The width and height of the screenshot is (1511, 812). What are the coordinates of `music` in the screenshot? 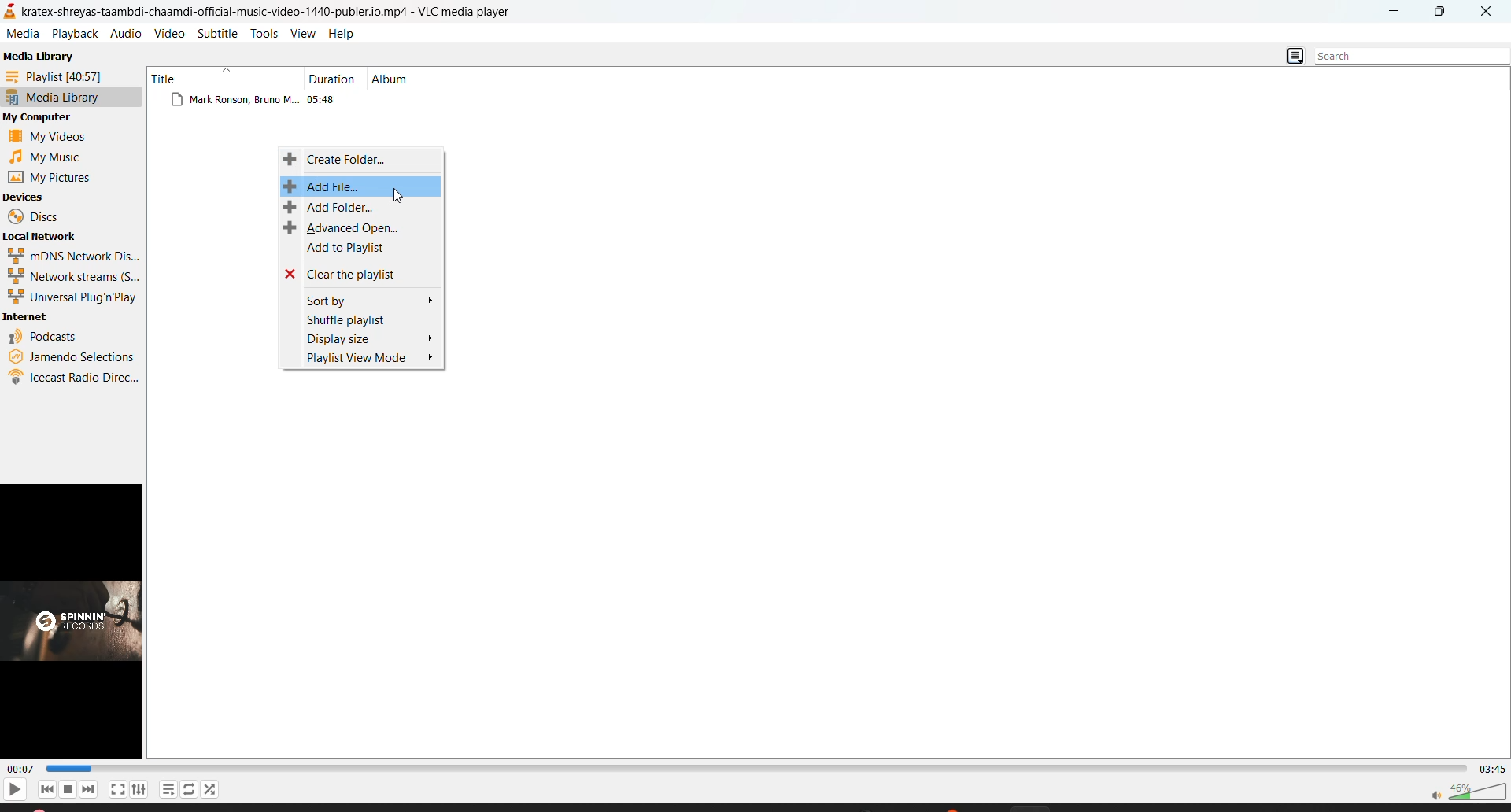 It's located at (51, 157).